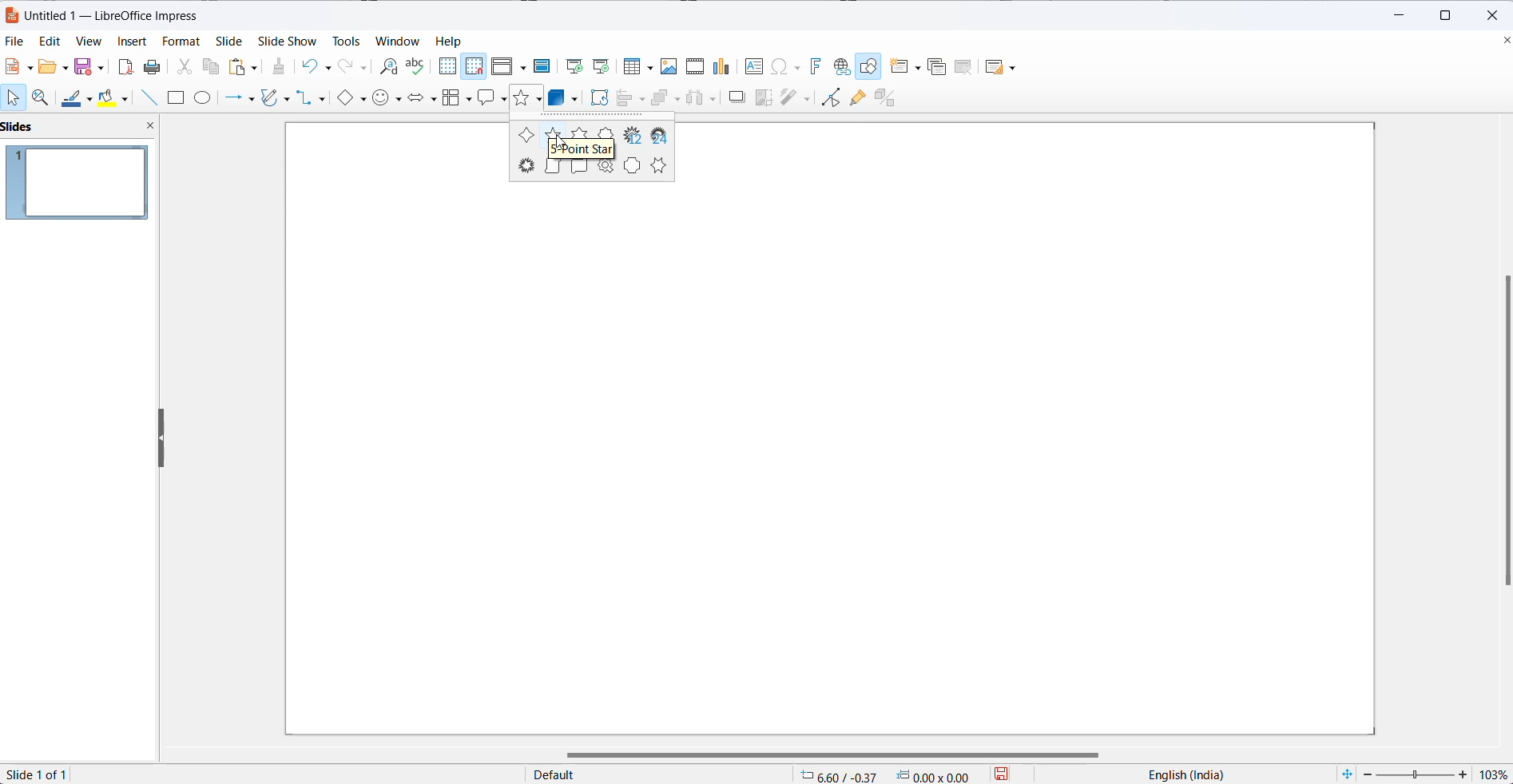 This screenshot has height=784, width=1513. I want to click on slide, so click(234, 40).